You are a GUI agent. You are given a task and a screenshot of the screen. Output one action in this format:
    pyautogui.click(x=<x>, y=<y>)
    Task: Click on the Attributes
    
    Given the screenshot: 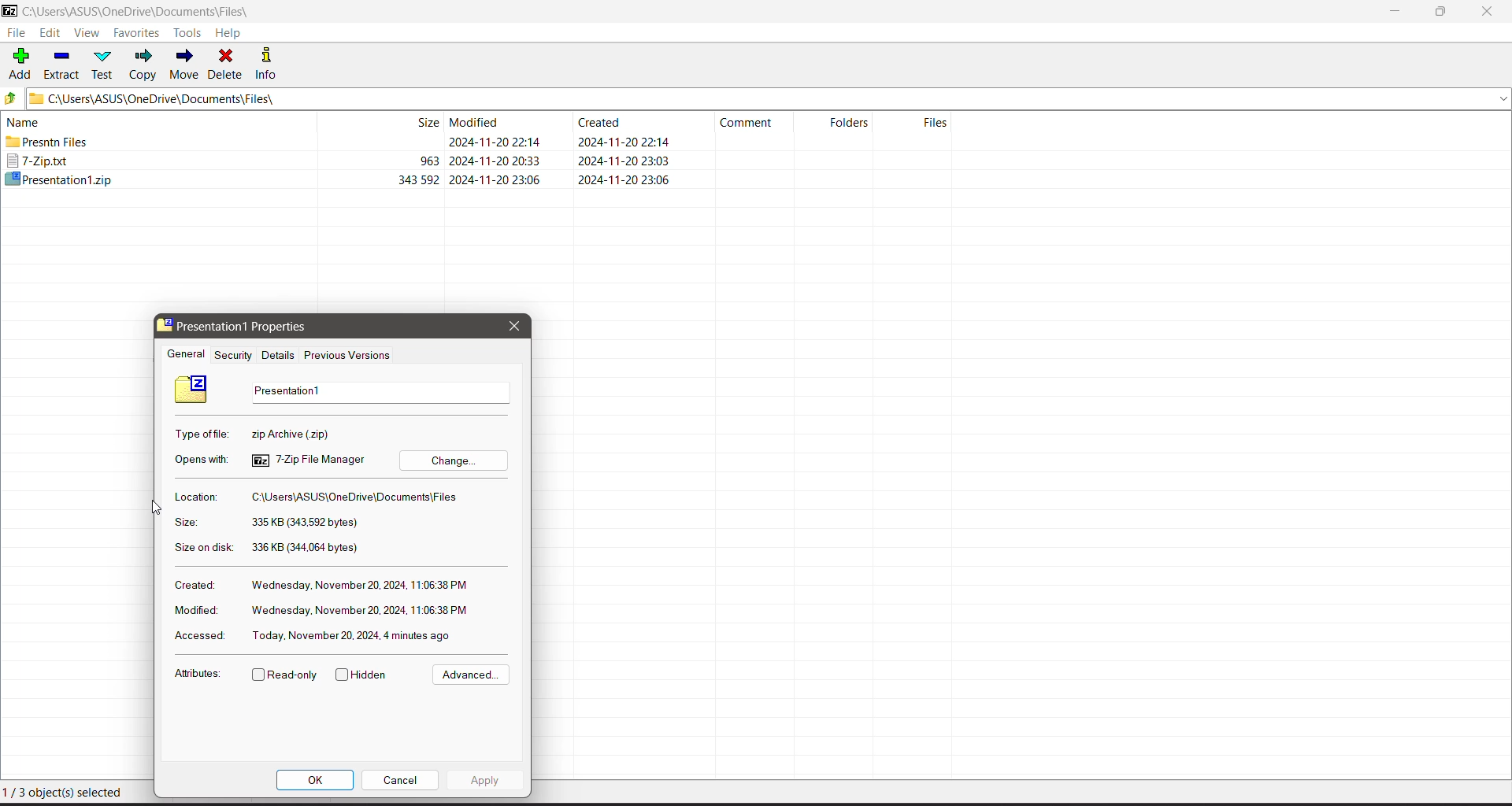 What is the action you would take?
    pyautogui.click(x=198, y=675)
    